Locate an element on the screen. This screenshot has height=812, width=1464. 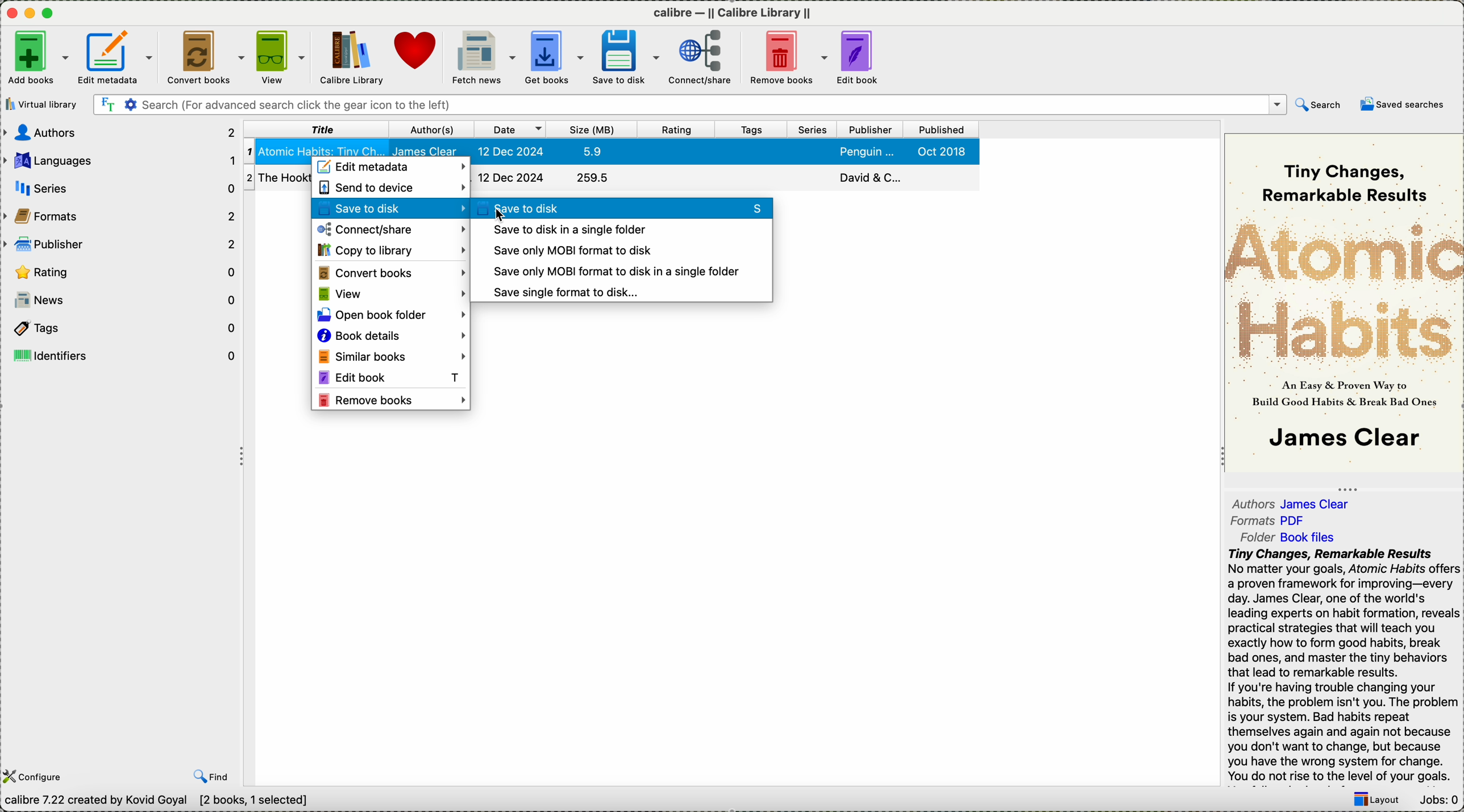
folder is located at coordinates (1291, 538).